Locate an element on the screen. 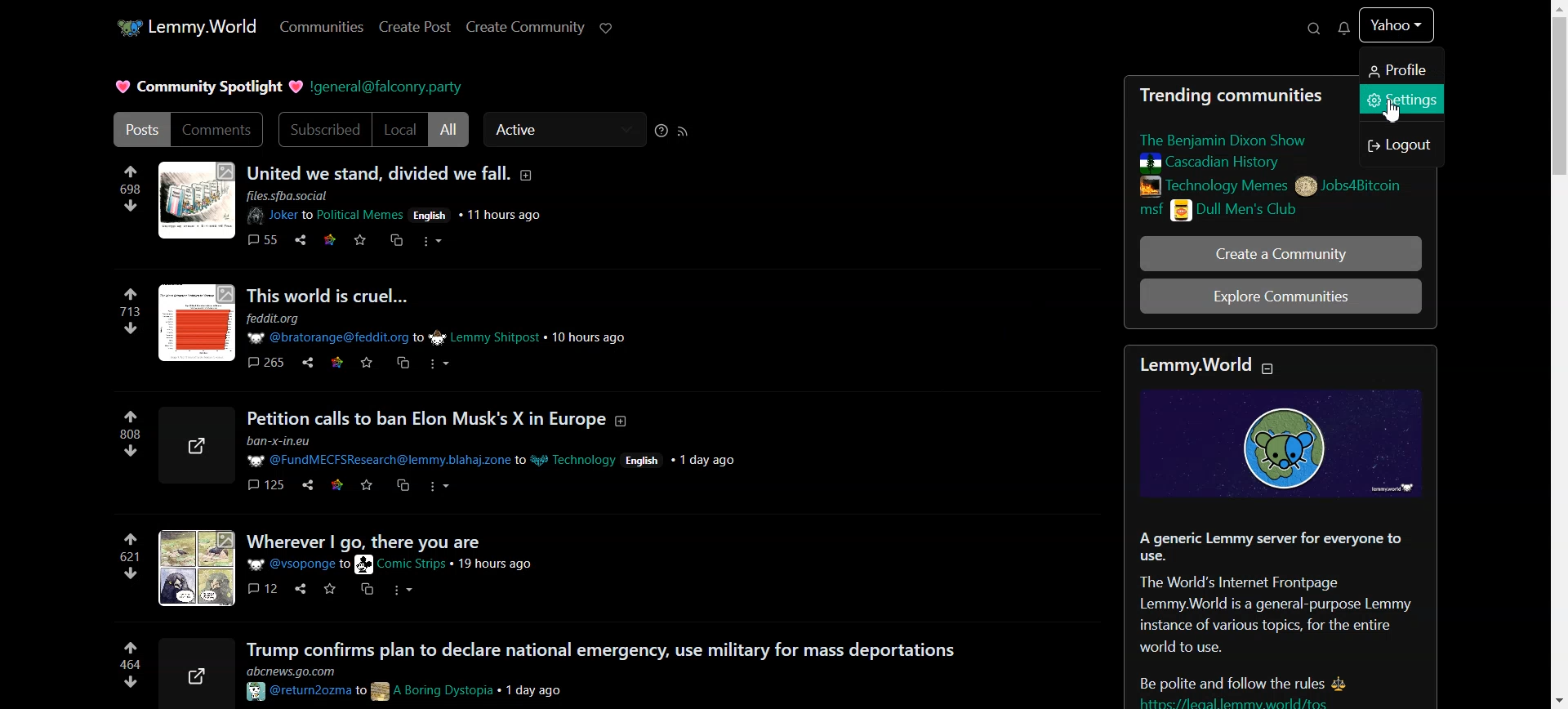 This screenshot has height=709, width=1568. options is located at coordinates (410, 591).